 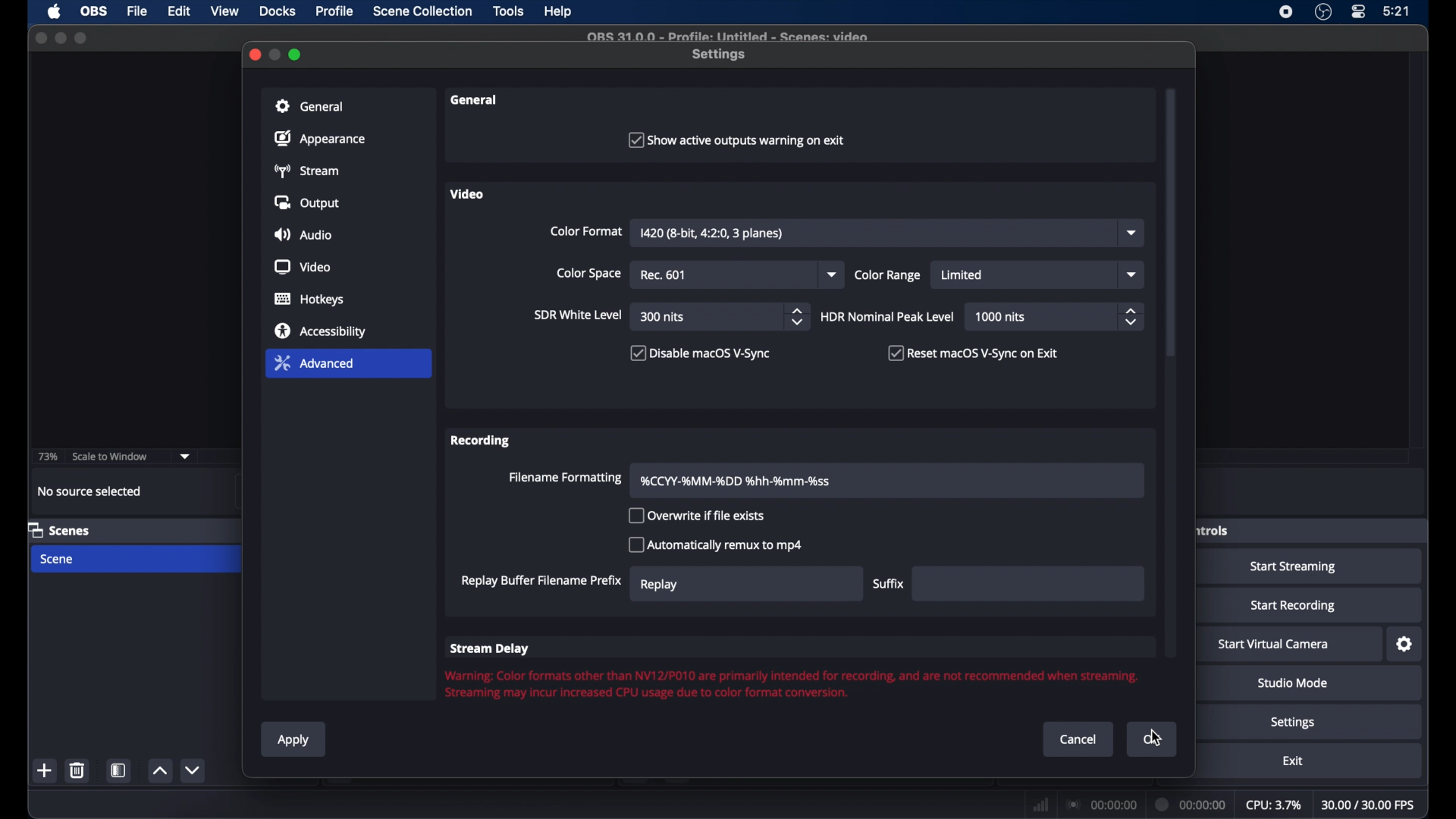 I want to click on add, so click(x=45, y=770).